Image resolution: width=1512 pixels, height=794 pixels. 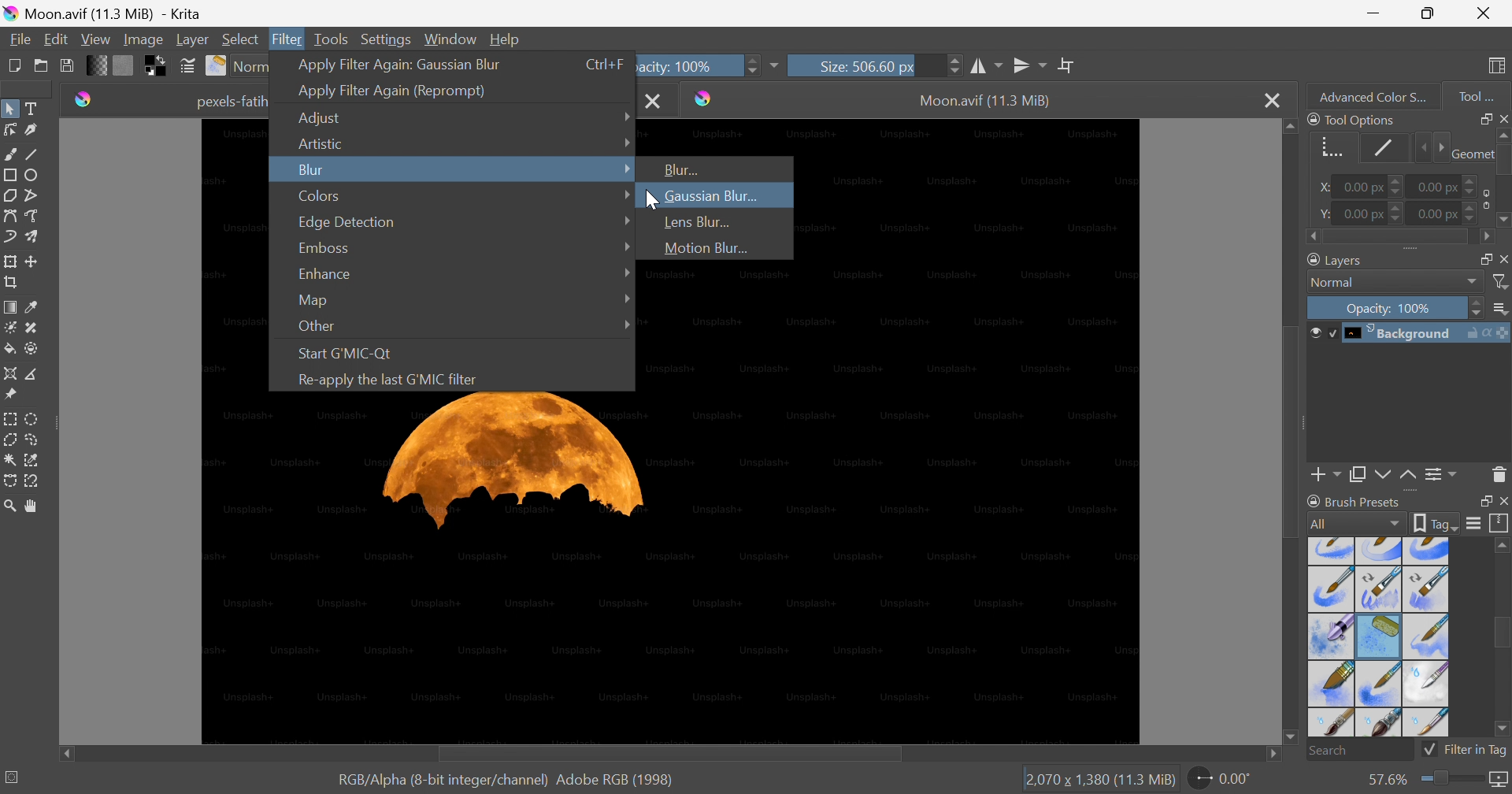 I want to click on Drop Down, so click(x=624, y=273).